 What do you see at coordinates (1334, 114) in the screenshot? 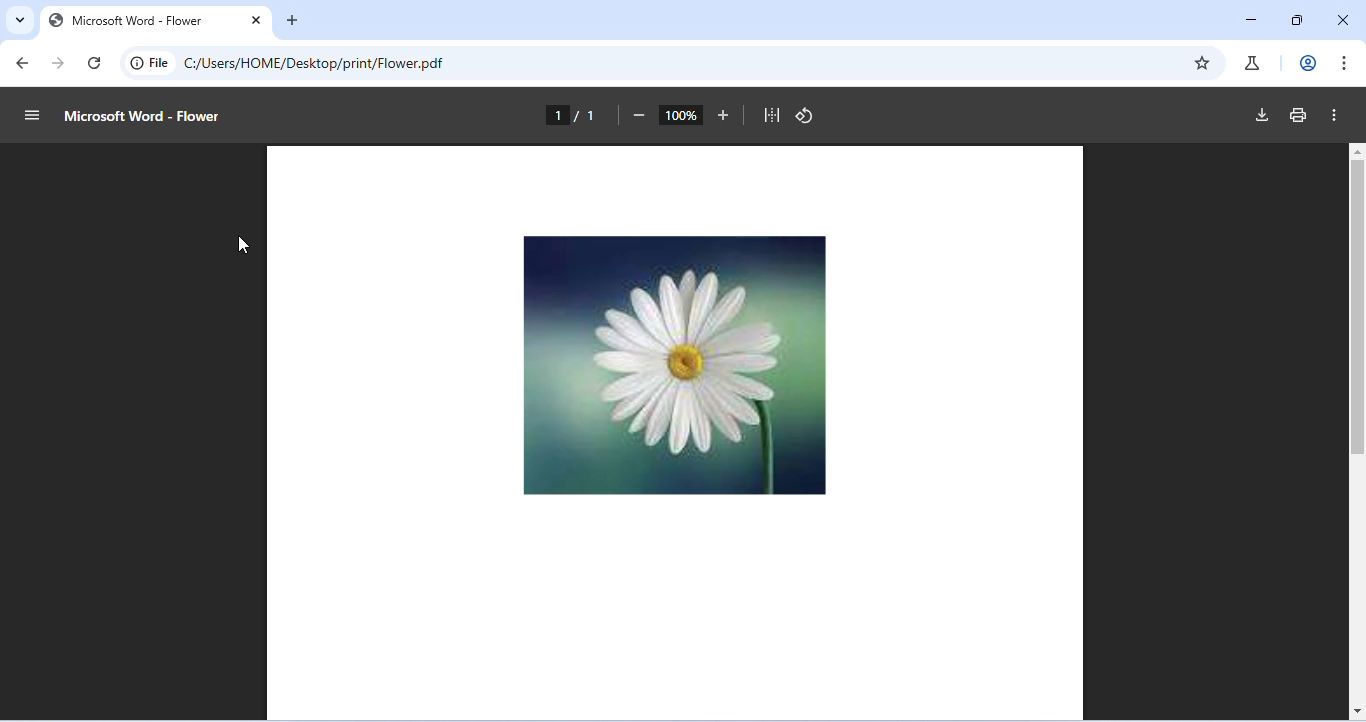
I see `more actions` at bounding box center [1334, 114].